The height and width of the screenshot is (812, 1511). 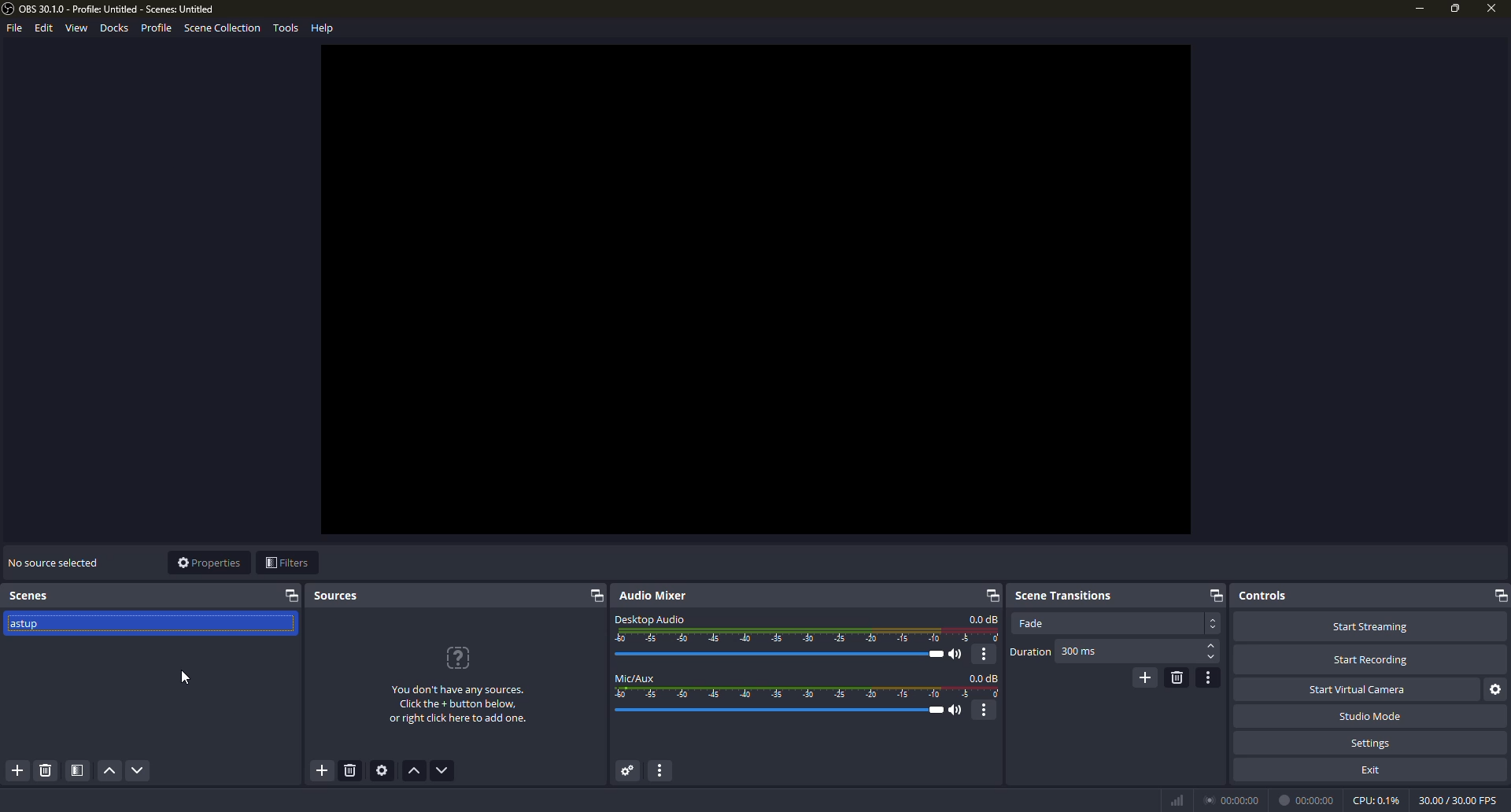 What do you see at coordinates (958, 710) in the screenshot?
I see `mute` at bounding box center [958, 710].